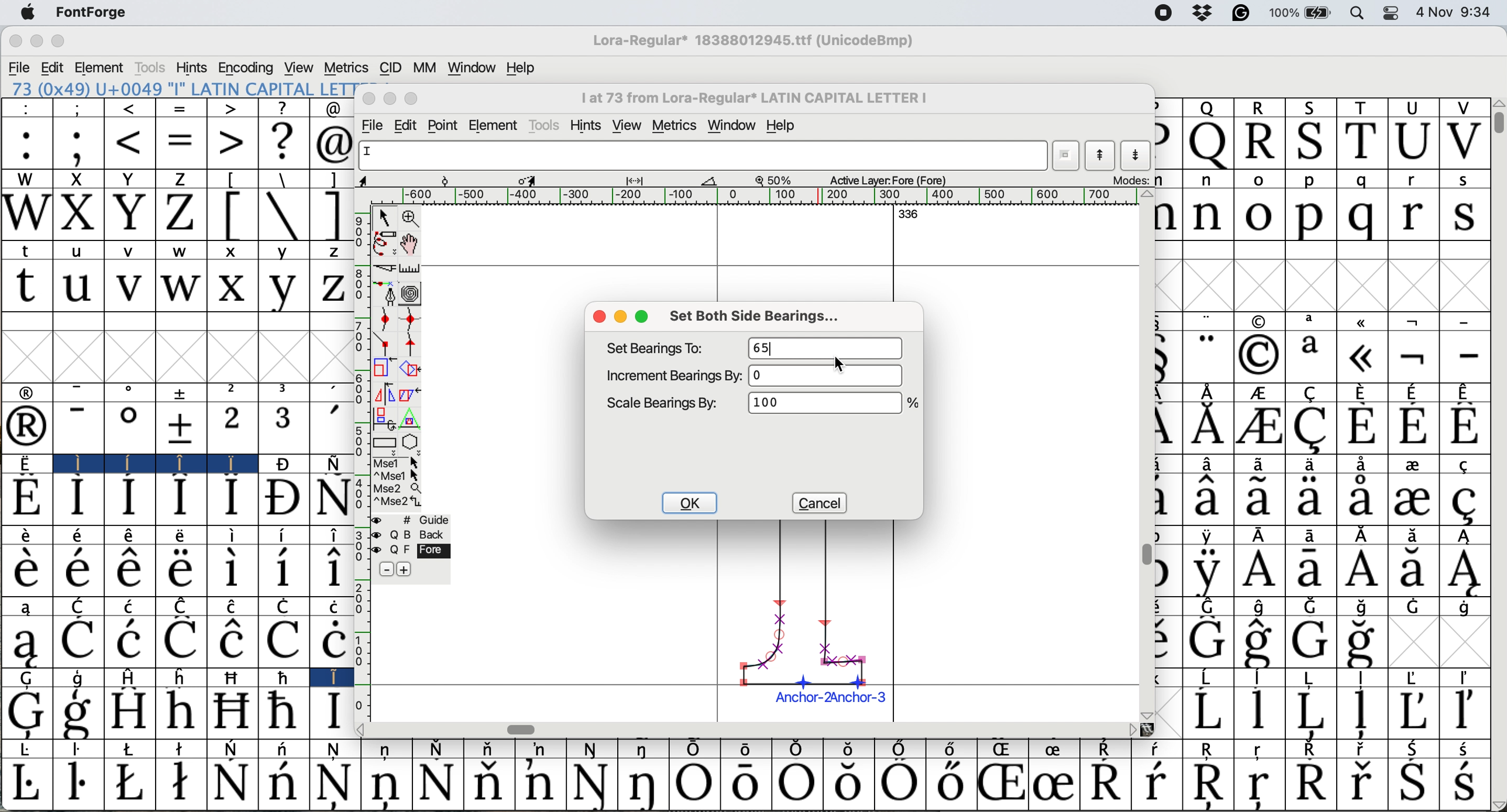 The height and width of the screenshot is (812, 1507). I want to click on show previous letter, so click(1102, 156).